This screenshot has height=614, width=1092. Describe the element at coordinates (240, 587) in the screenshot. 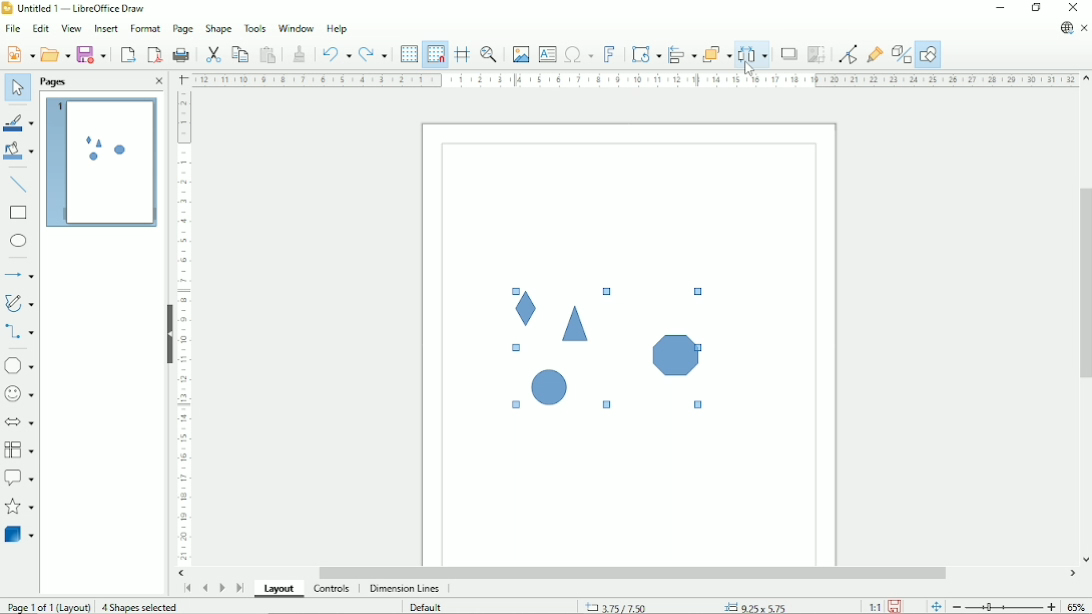

I see `Scroll to last page` at that location.